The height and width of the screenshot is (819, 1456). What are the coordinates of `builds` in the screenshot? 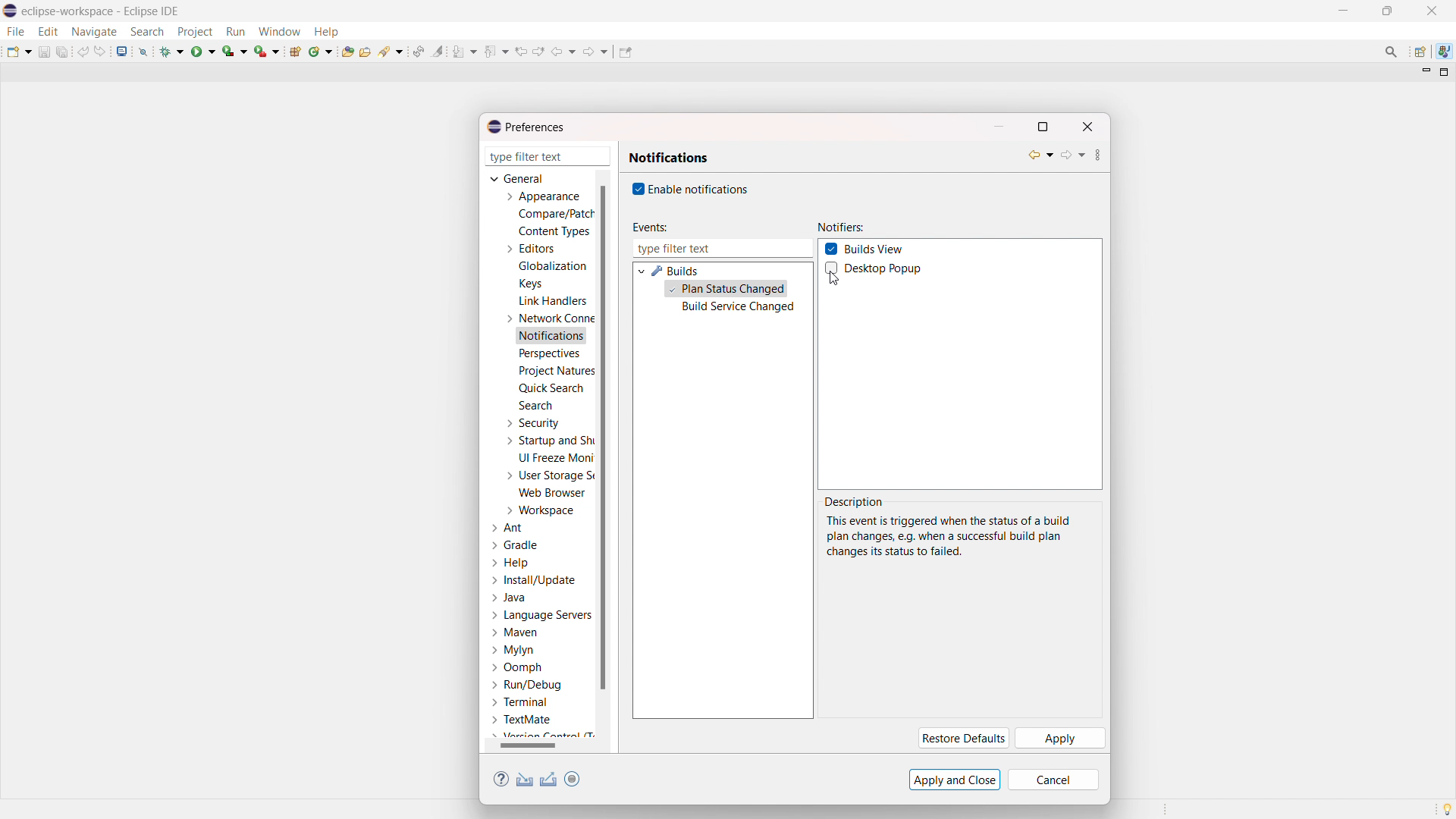 It's located at (676, 271).